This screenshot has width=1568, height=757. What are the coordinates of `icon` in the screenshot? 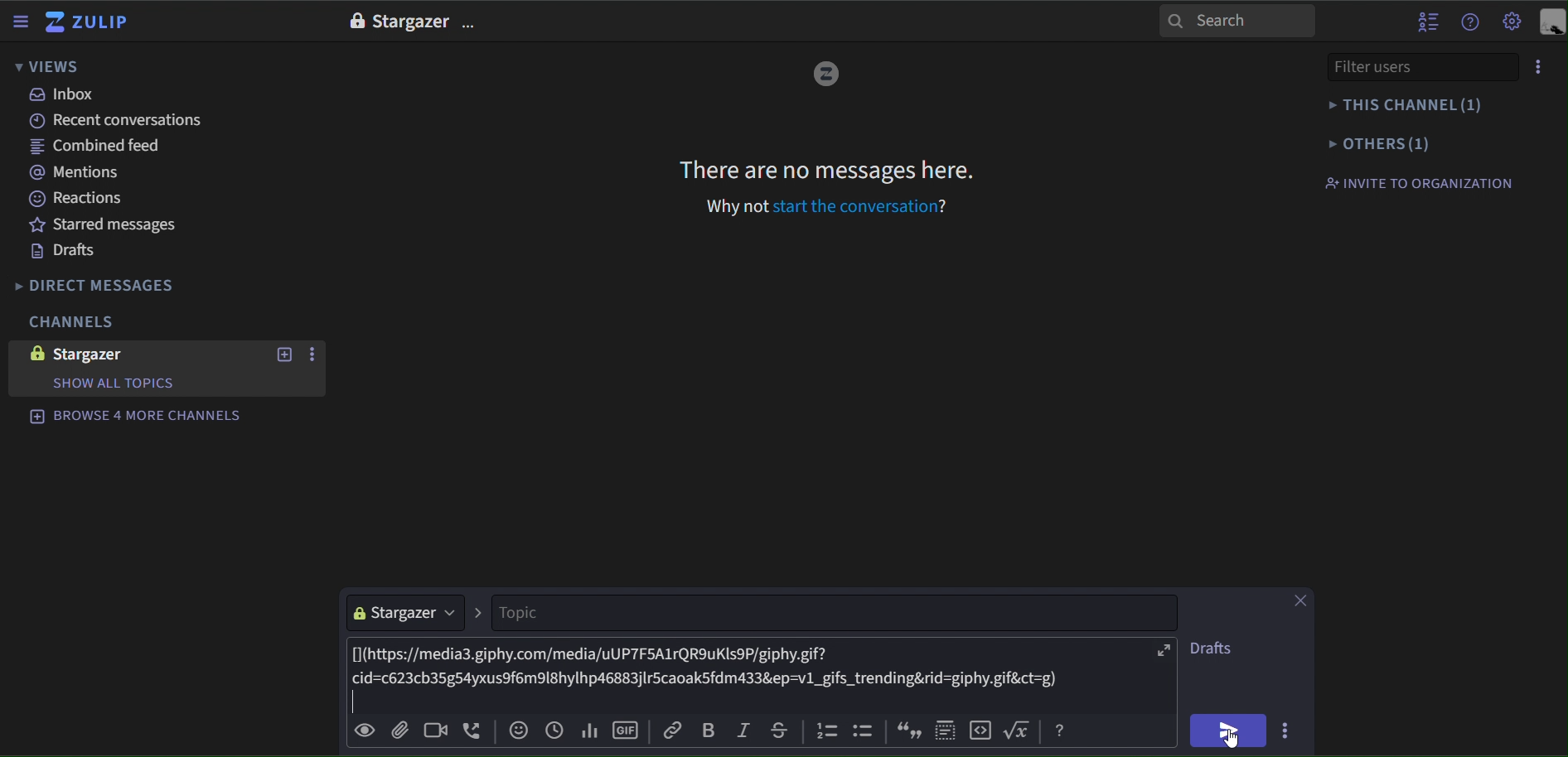 It's located at (983, 730).